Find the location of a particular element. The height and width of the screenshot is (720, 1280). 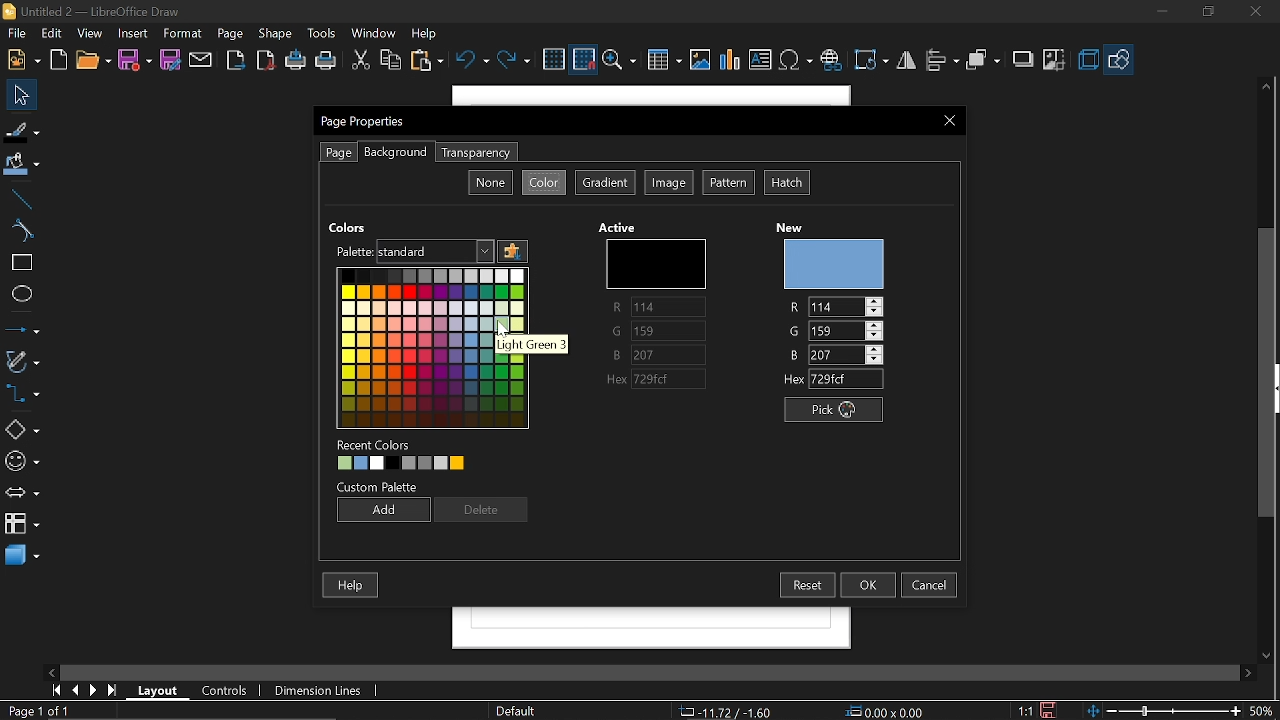

Open is located at coordinates (92, 61).